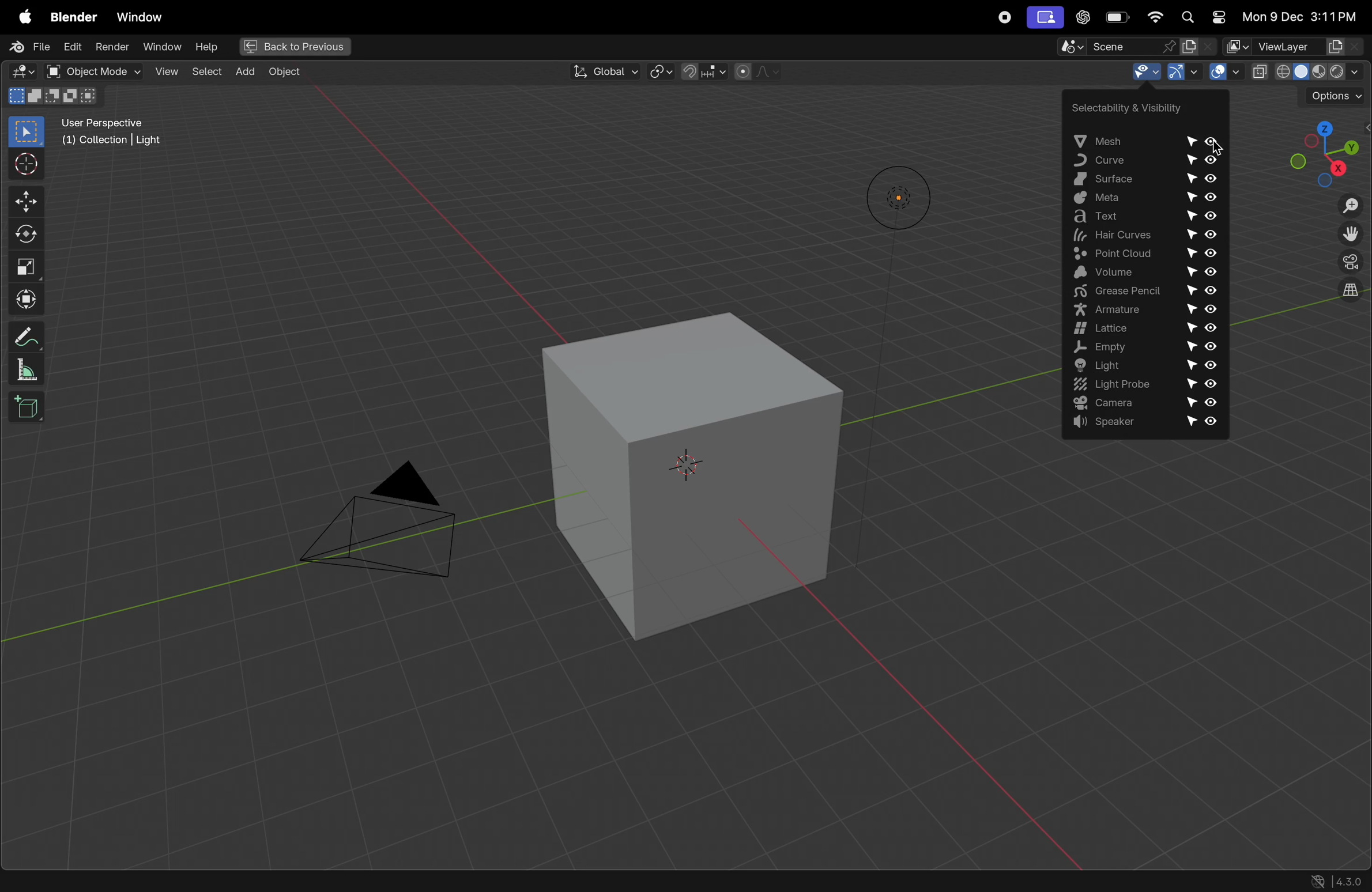 The width and height of the screenshot is (1372, 892). I want to click on select, so click(205, 71).